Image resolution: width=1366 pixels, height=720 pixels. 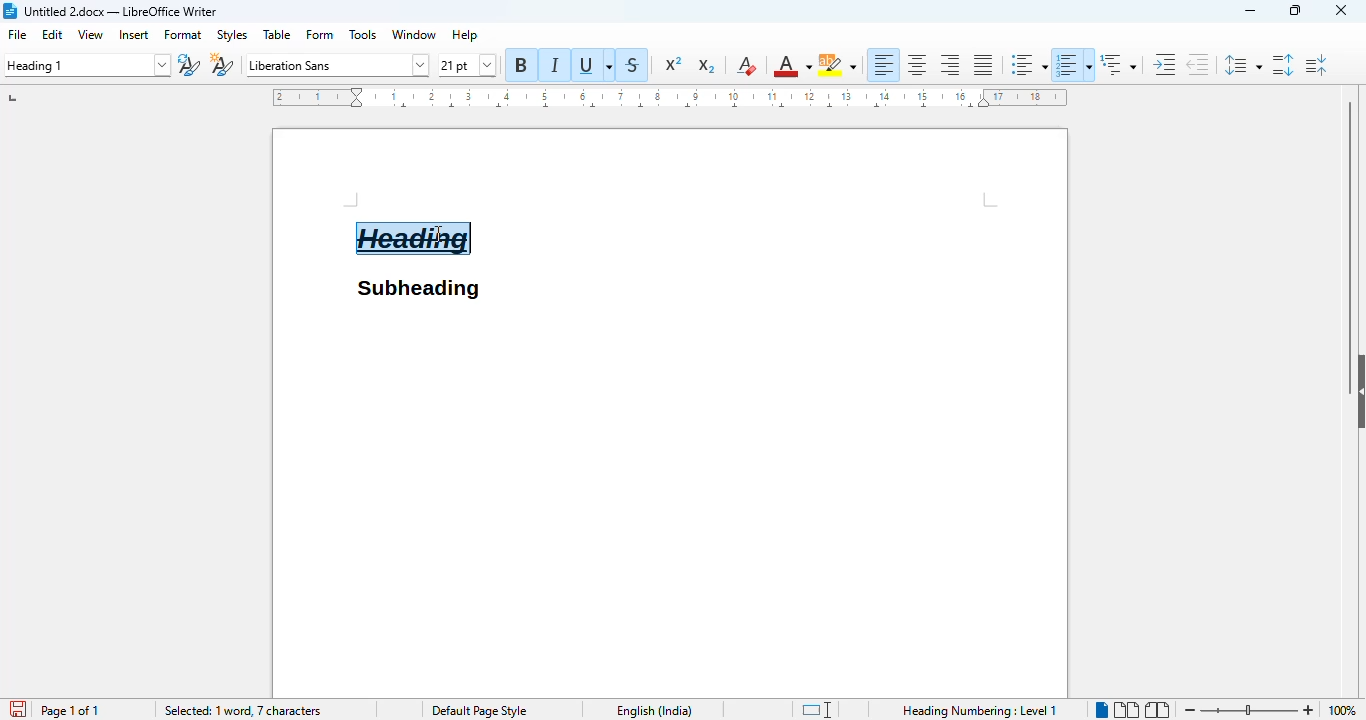 What do you see at coordinates (13, 710) in the screenshot?
I see `click to save document` at bounding box center [13, 710].